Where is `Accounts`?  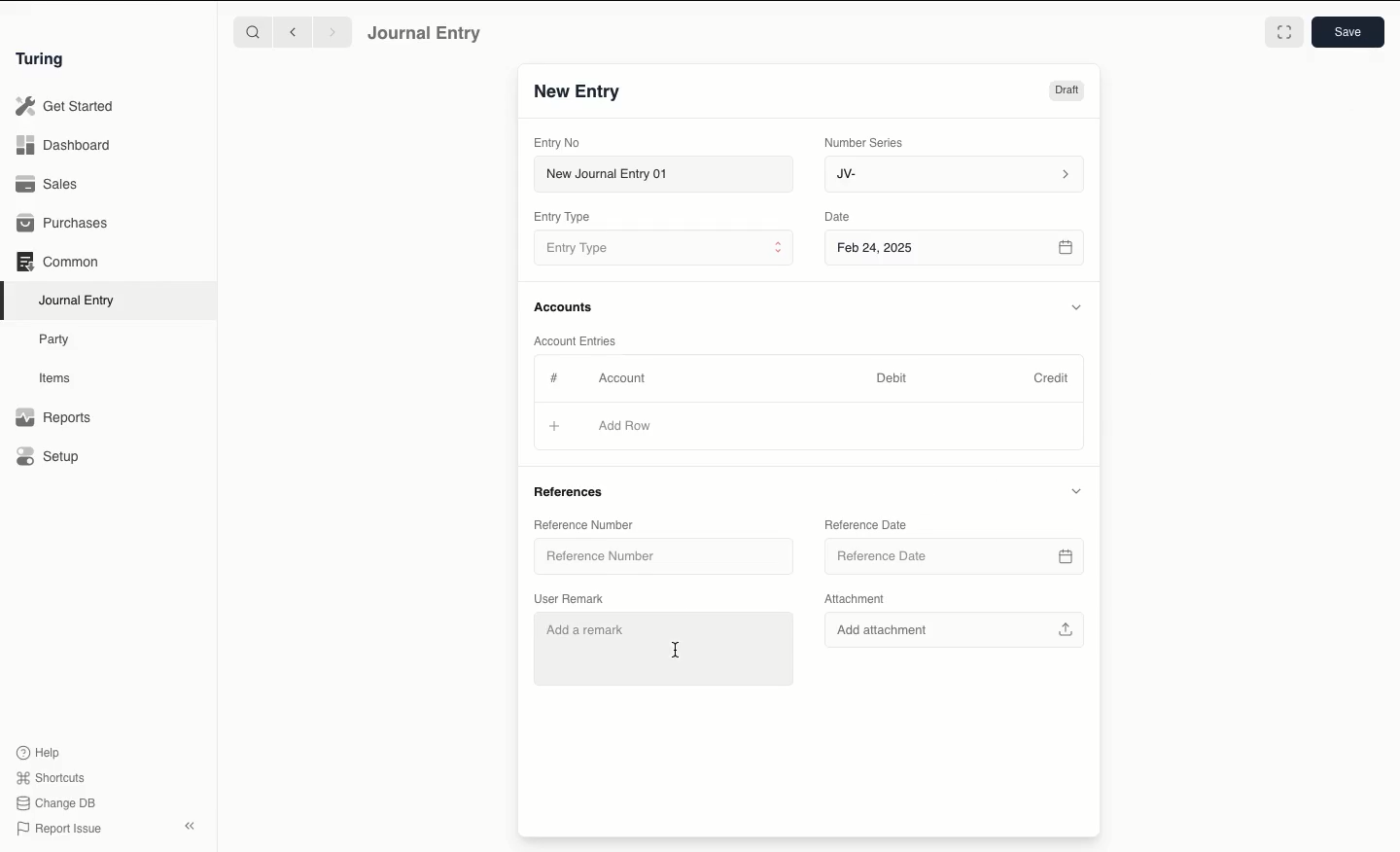
Accounts is located at coordinates (565, 307).